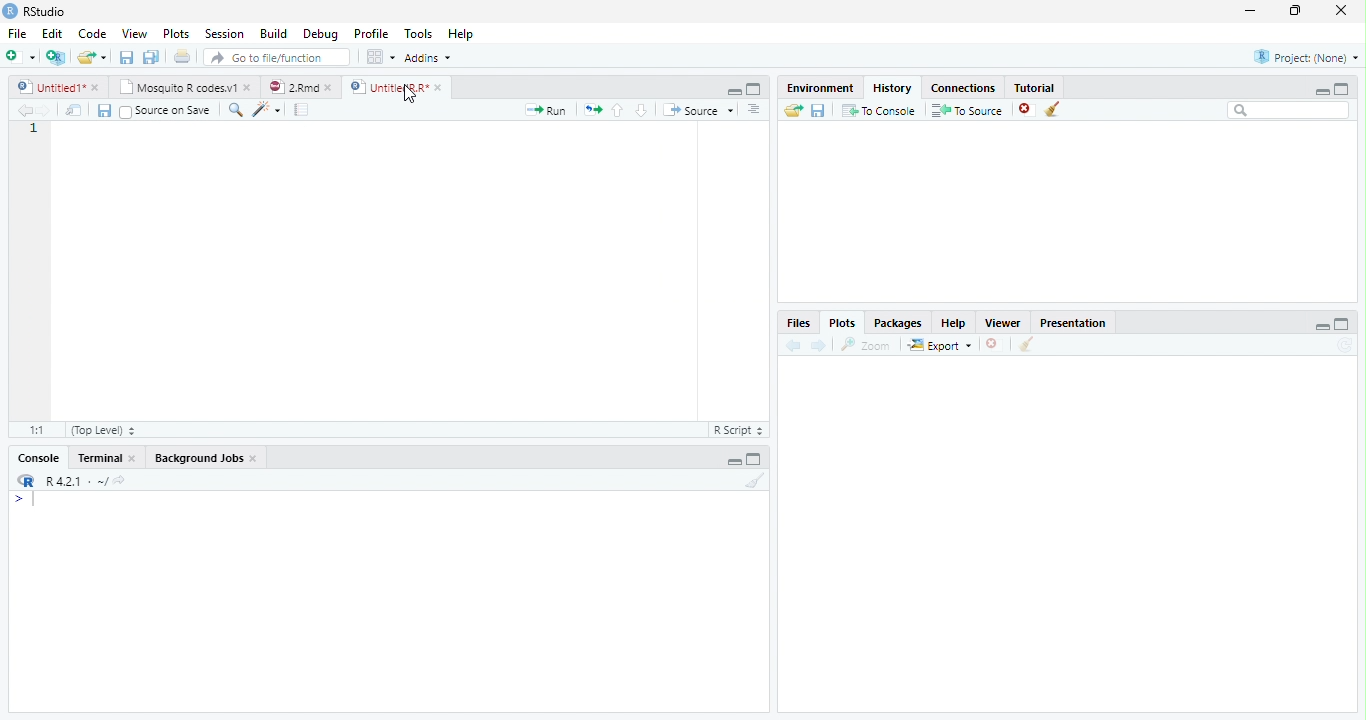 The width and height of the screenshot is (1366, 720). What do you see at coordinates (371, 33) in the screenshot?
I see `Profile` at bounding box center [371, 33].